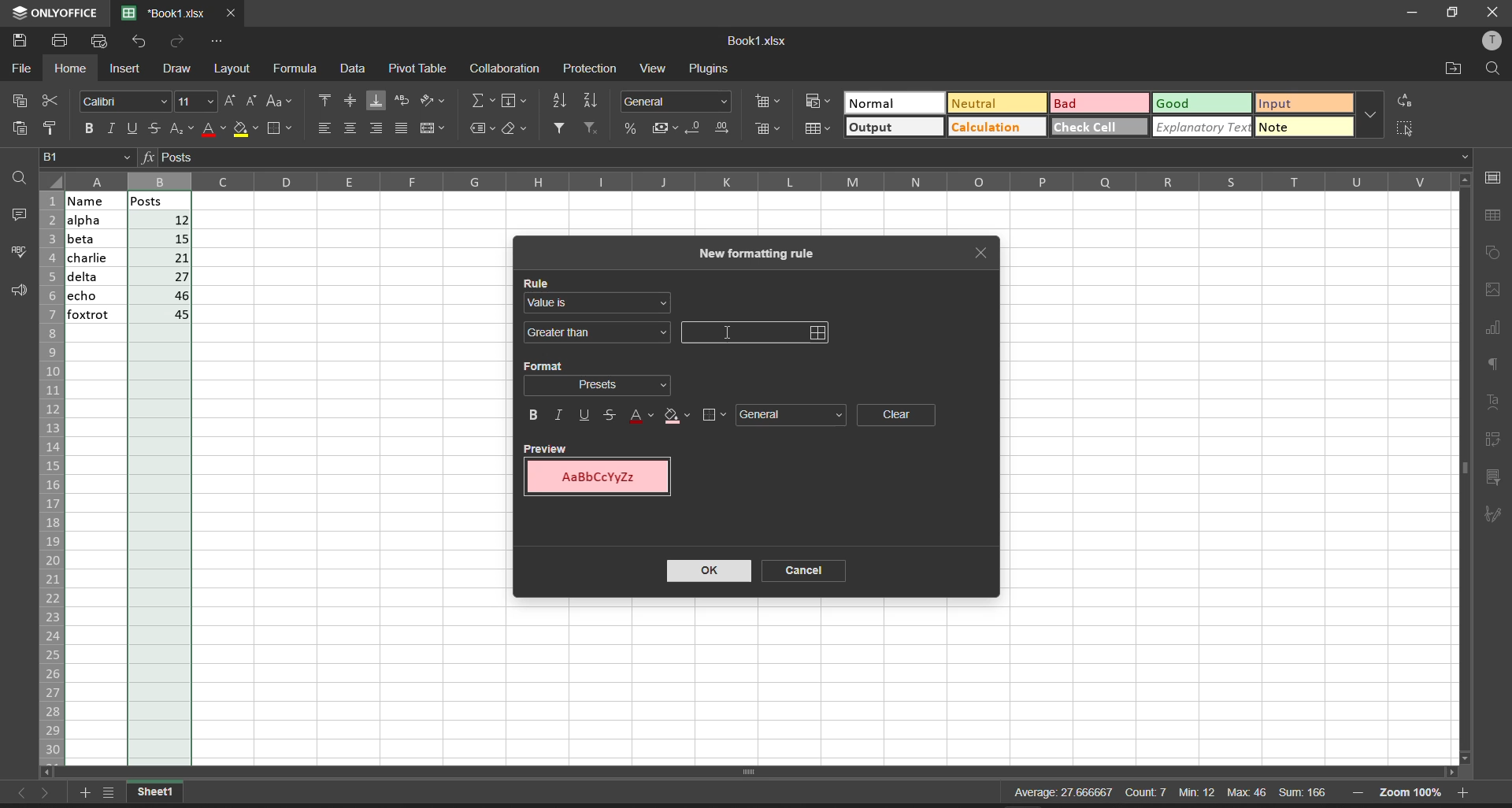  Describe the element at coordinates (73, 70) in the screenshot. I see `home` at that location.